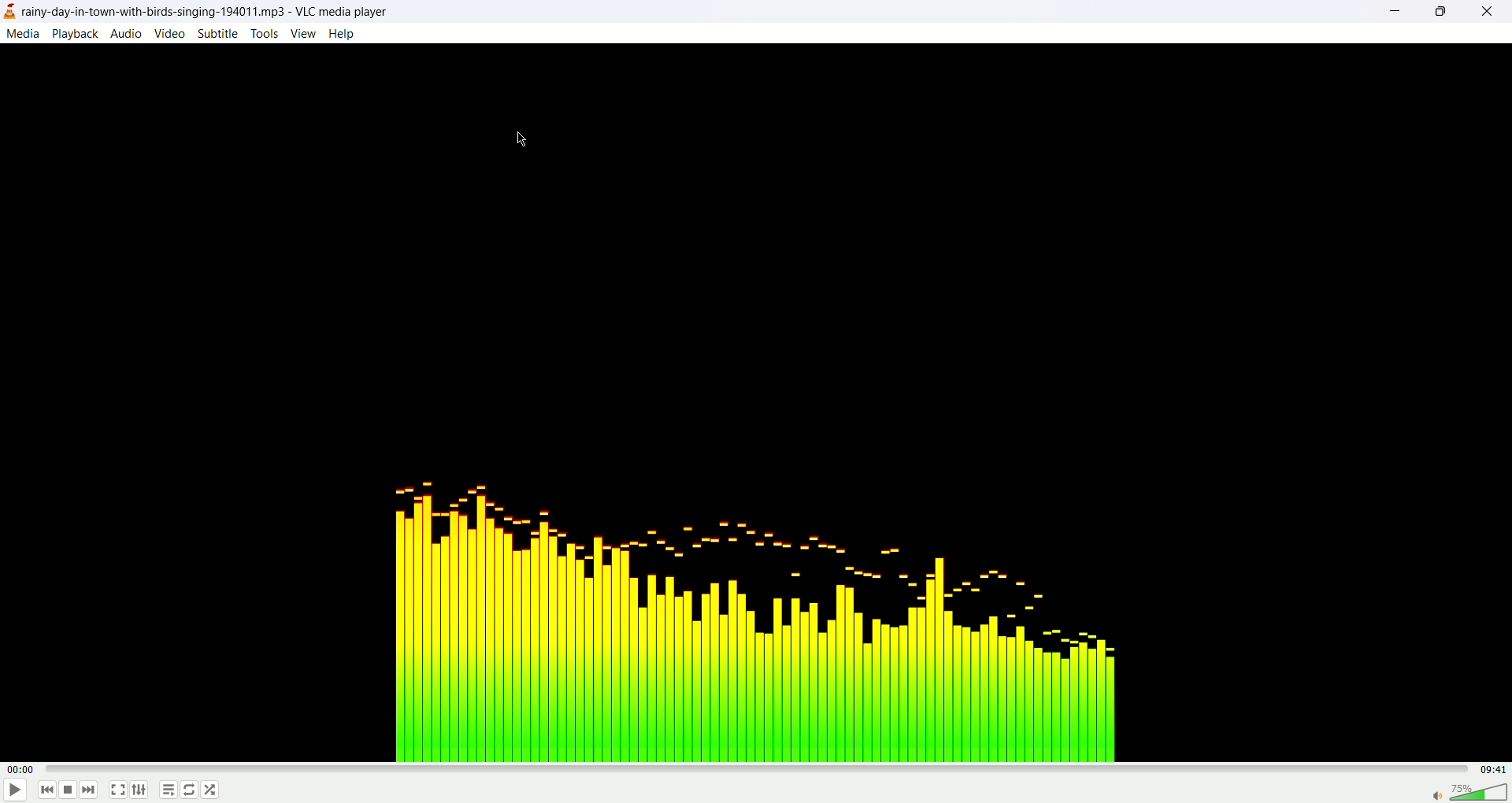 The image size is (1512, 803). Describe the element at coordinates (209, 789) in the screenshot. I see `shuffle` at that location.